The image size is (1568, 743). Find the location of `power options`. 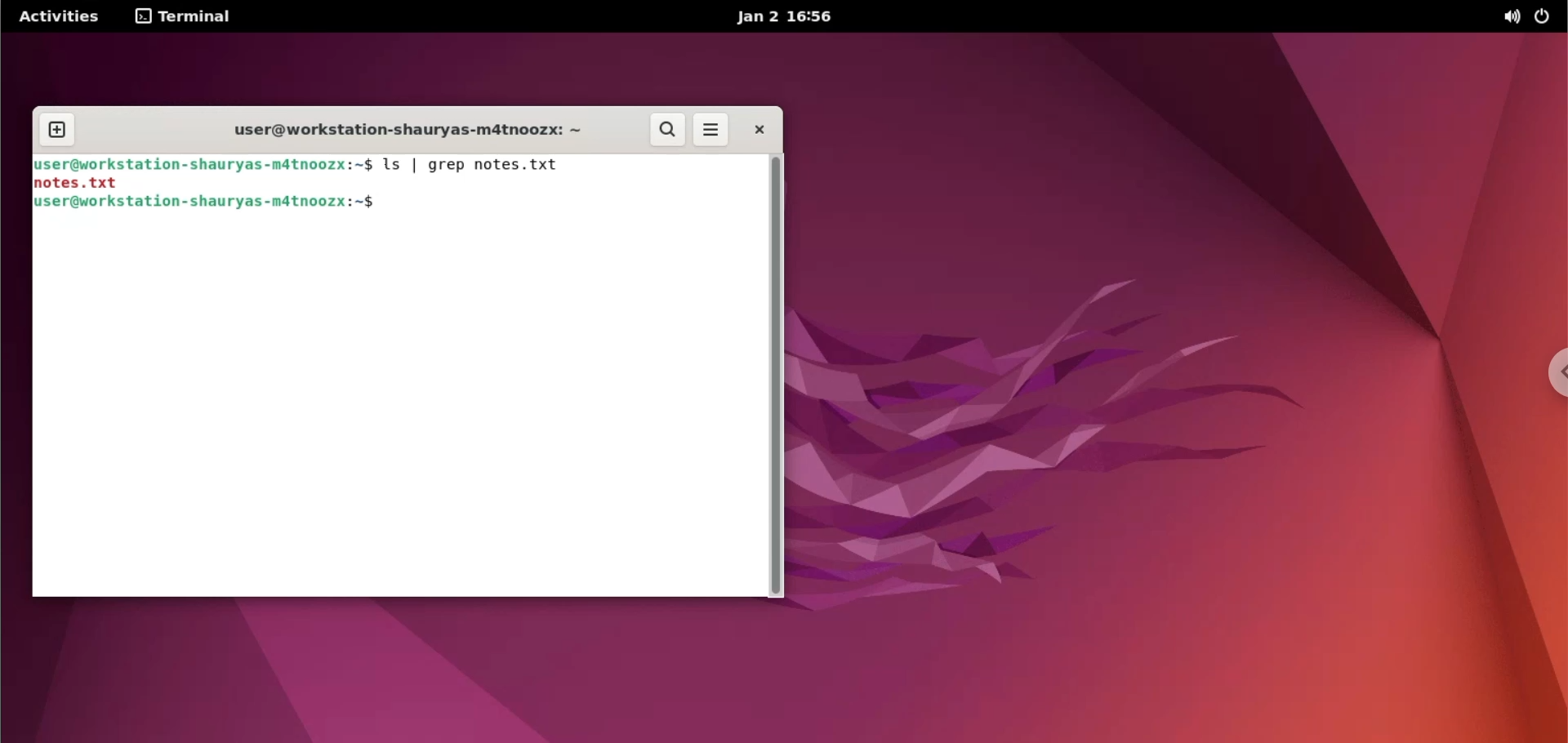

power options is located at coordinates (1546, 17).